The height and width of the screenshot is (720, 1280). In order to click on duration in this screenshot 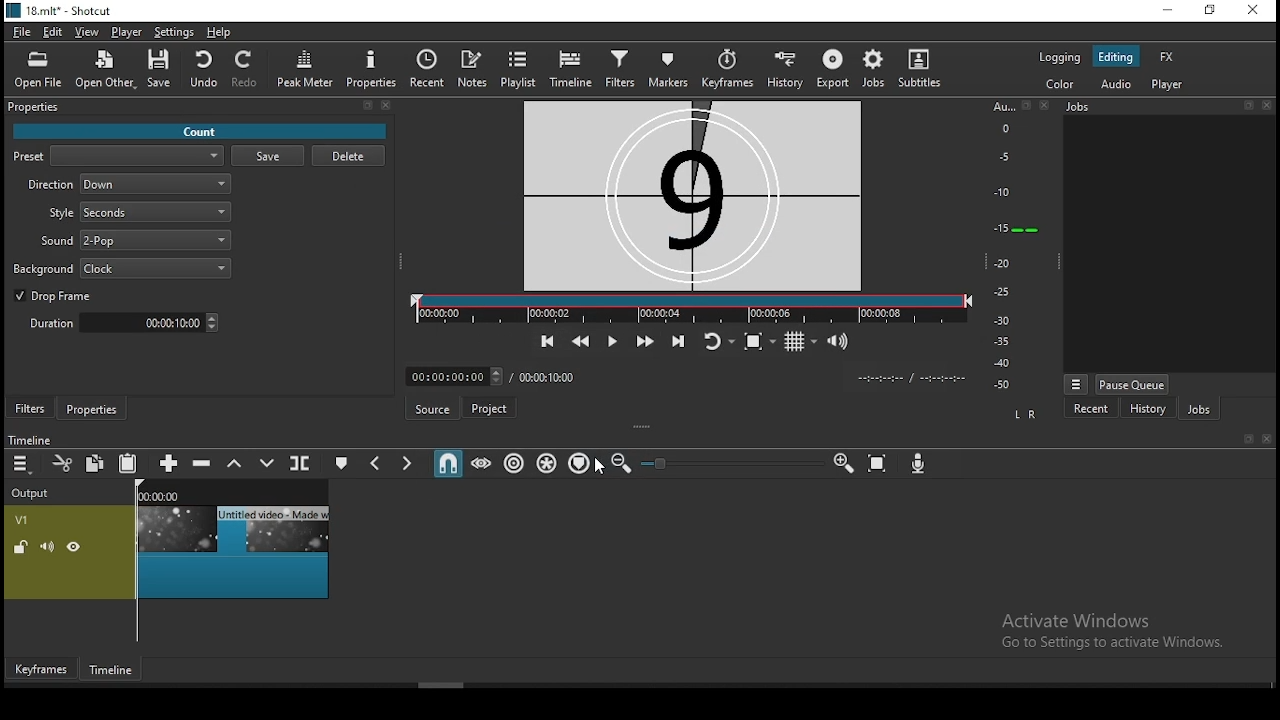, I will do `click(124, 322)`.